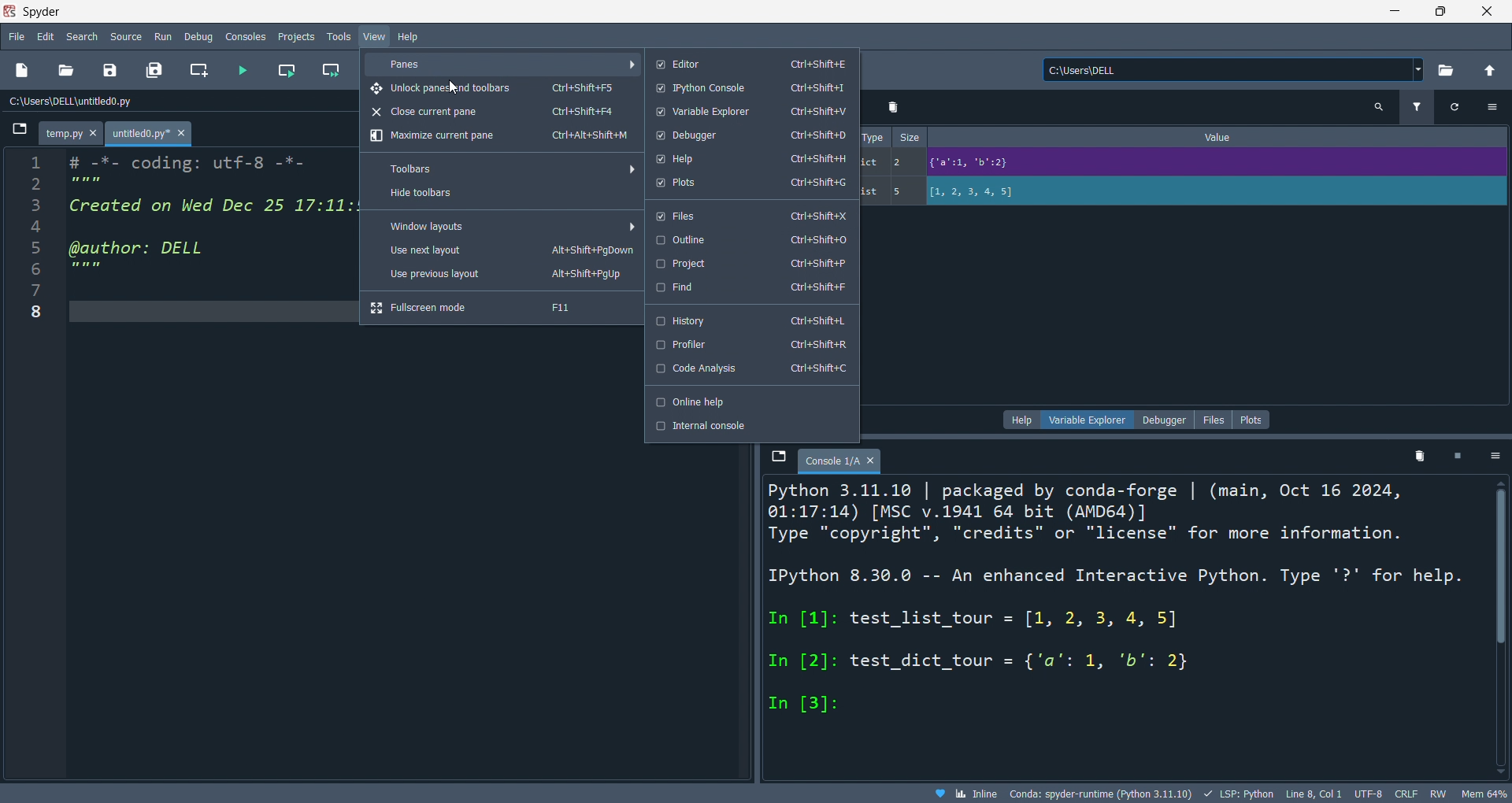 This screenshot has width=1512, height=803. What do you see at coordinates (1415, 109) in the screenshot?
I see `filter` at bounding box center [1415, 109].